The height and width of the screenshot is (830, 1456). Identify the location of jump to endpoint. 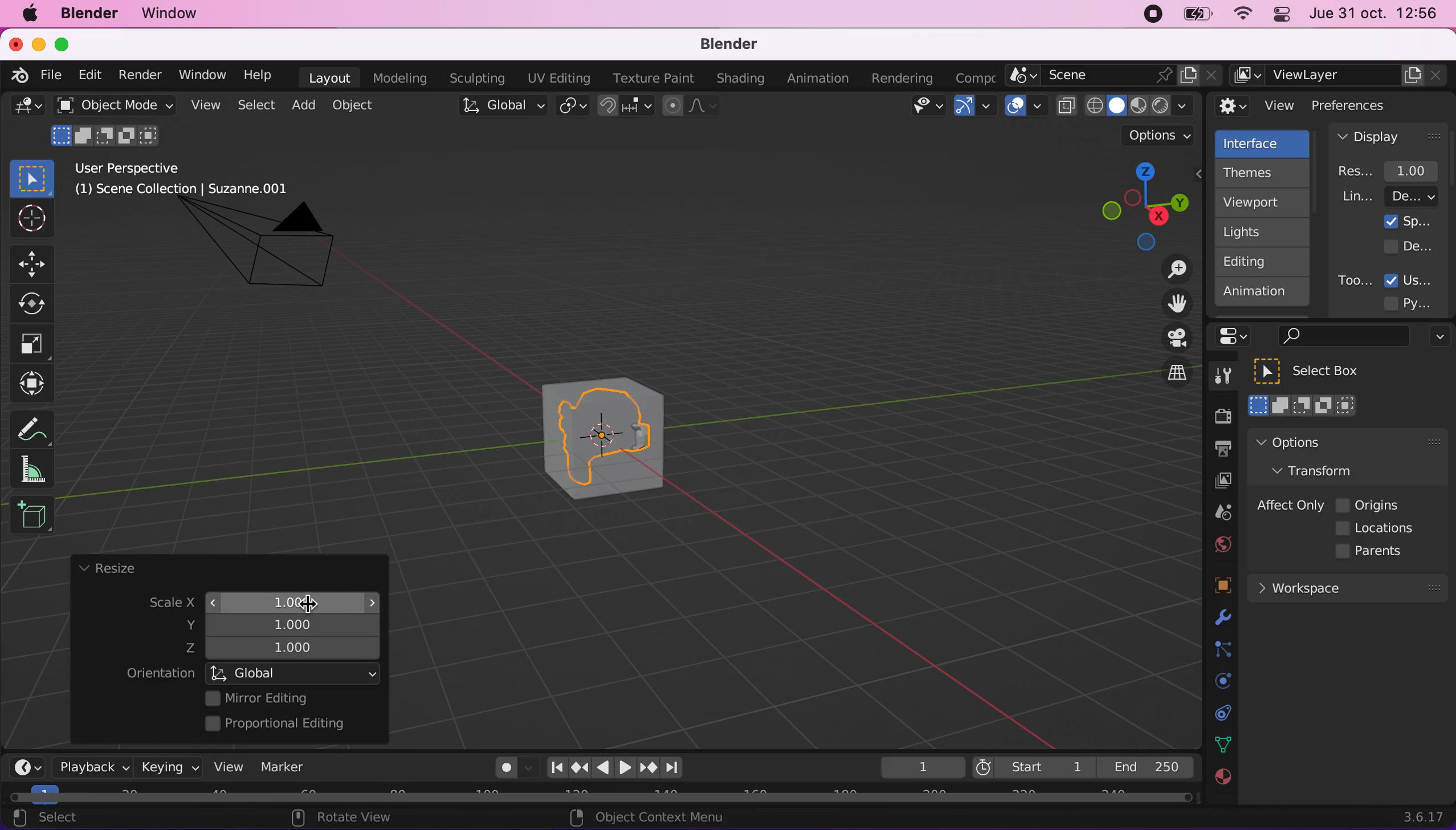
(678, 768).